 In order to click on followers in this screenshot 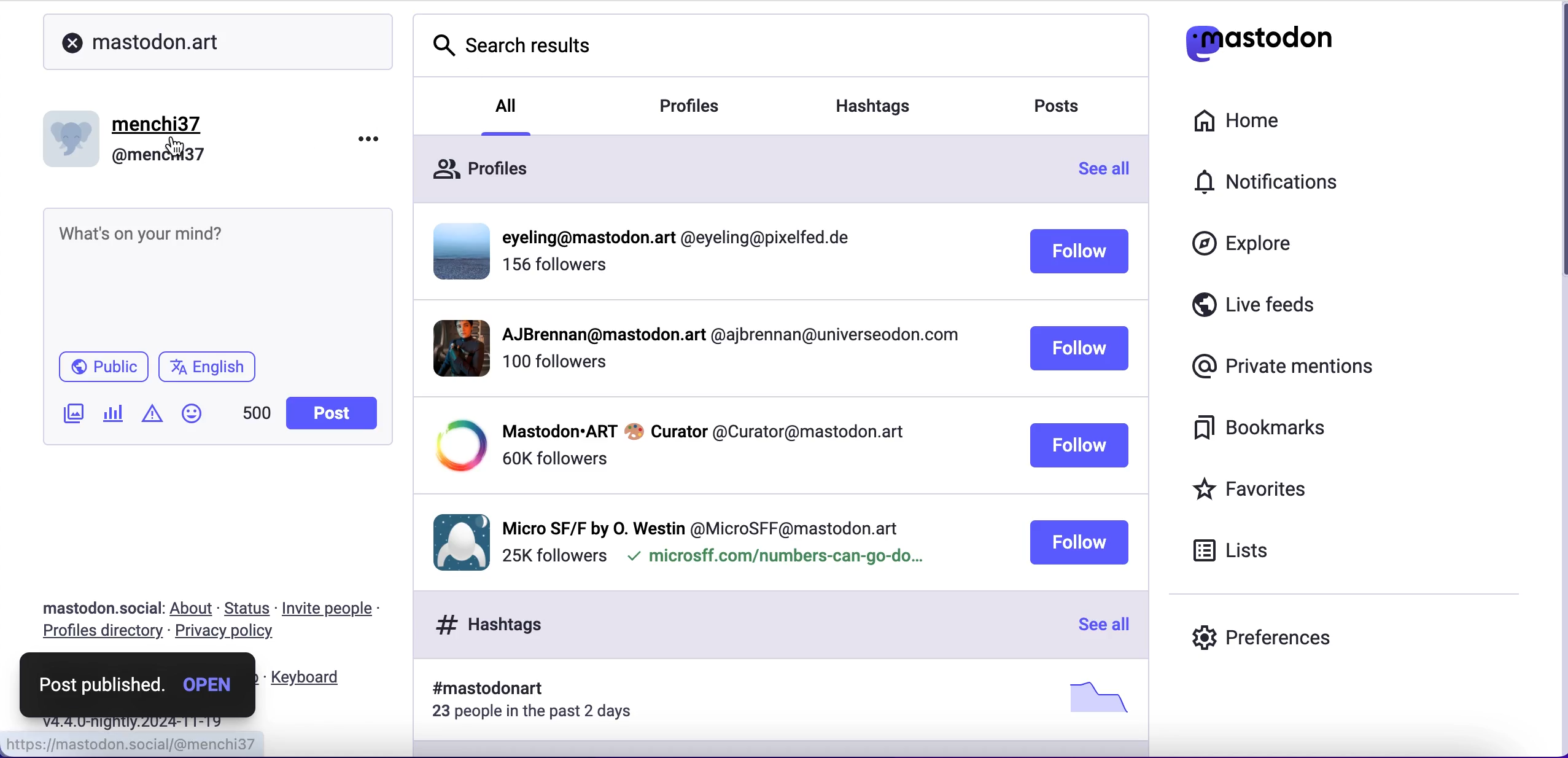, I will do `click(576, 268)`.